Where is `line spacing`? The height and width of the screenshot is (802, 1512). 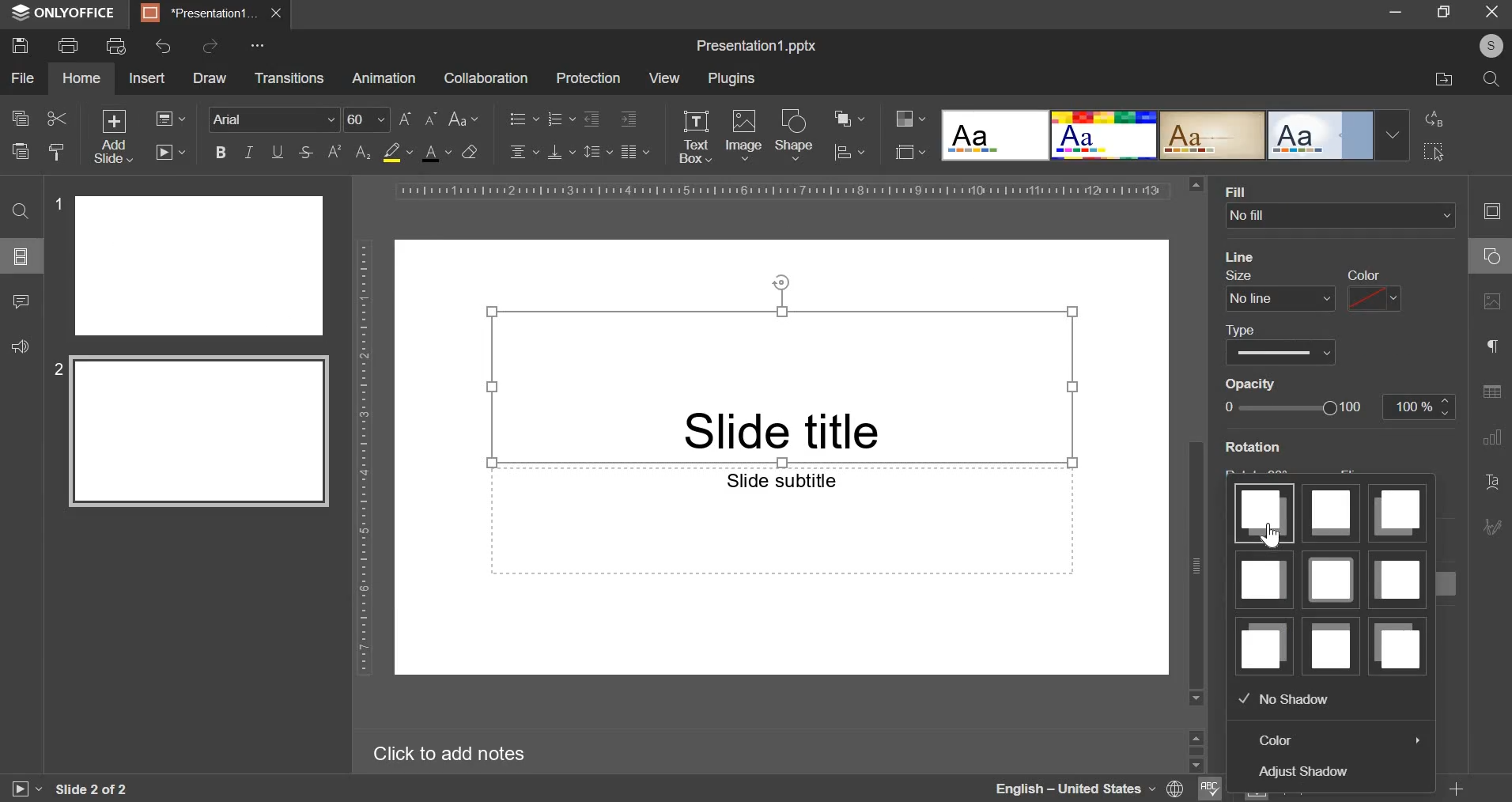
line spacing is located at coordinates (599, 150).